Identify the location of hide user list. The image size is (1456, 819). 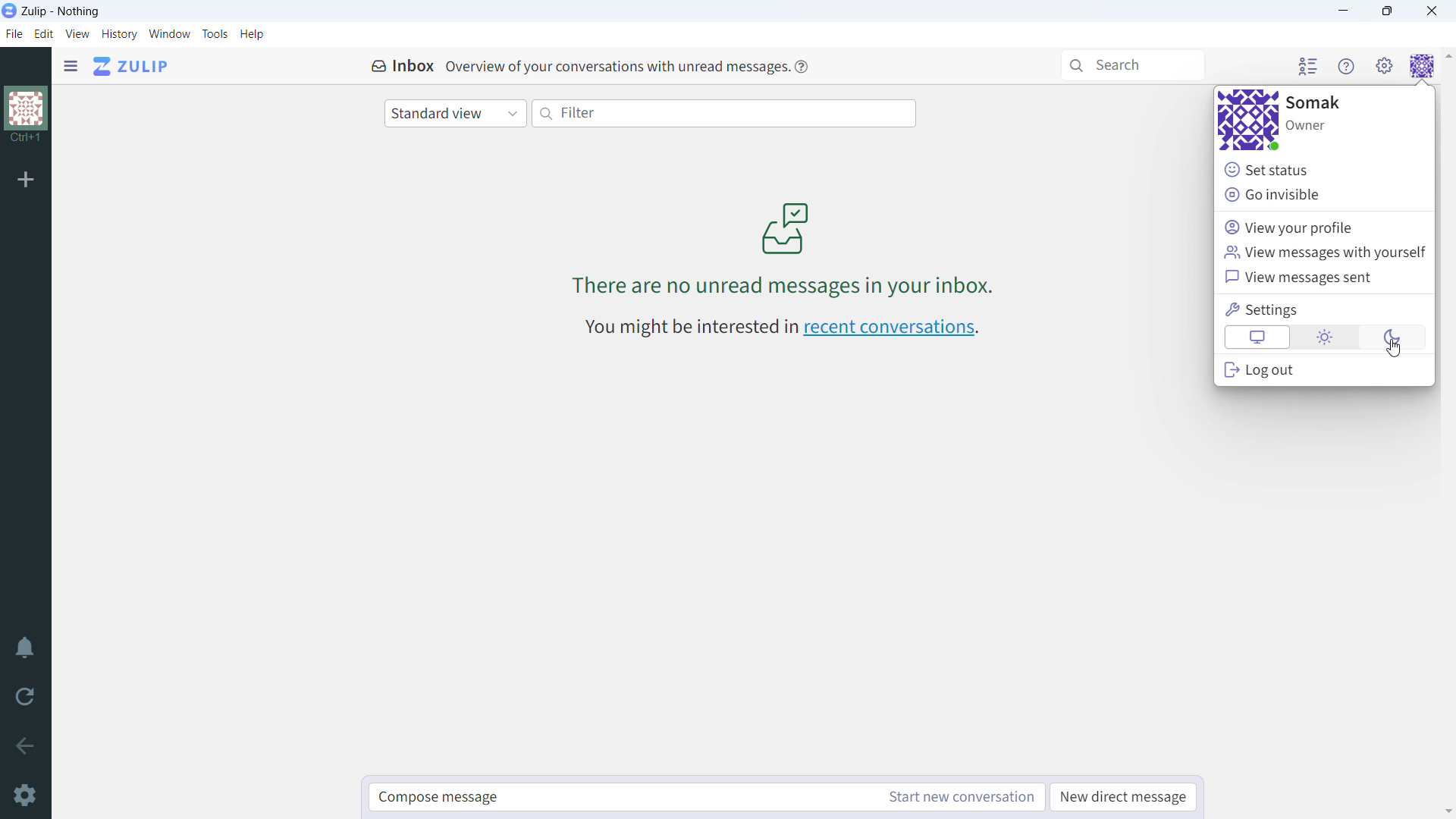
(1309, 64).